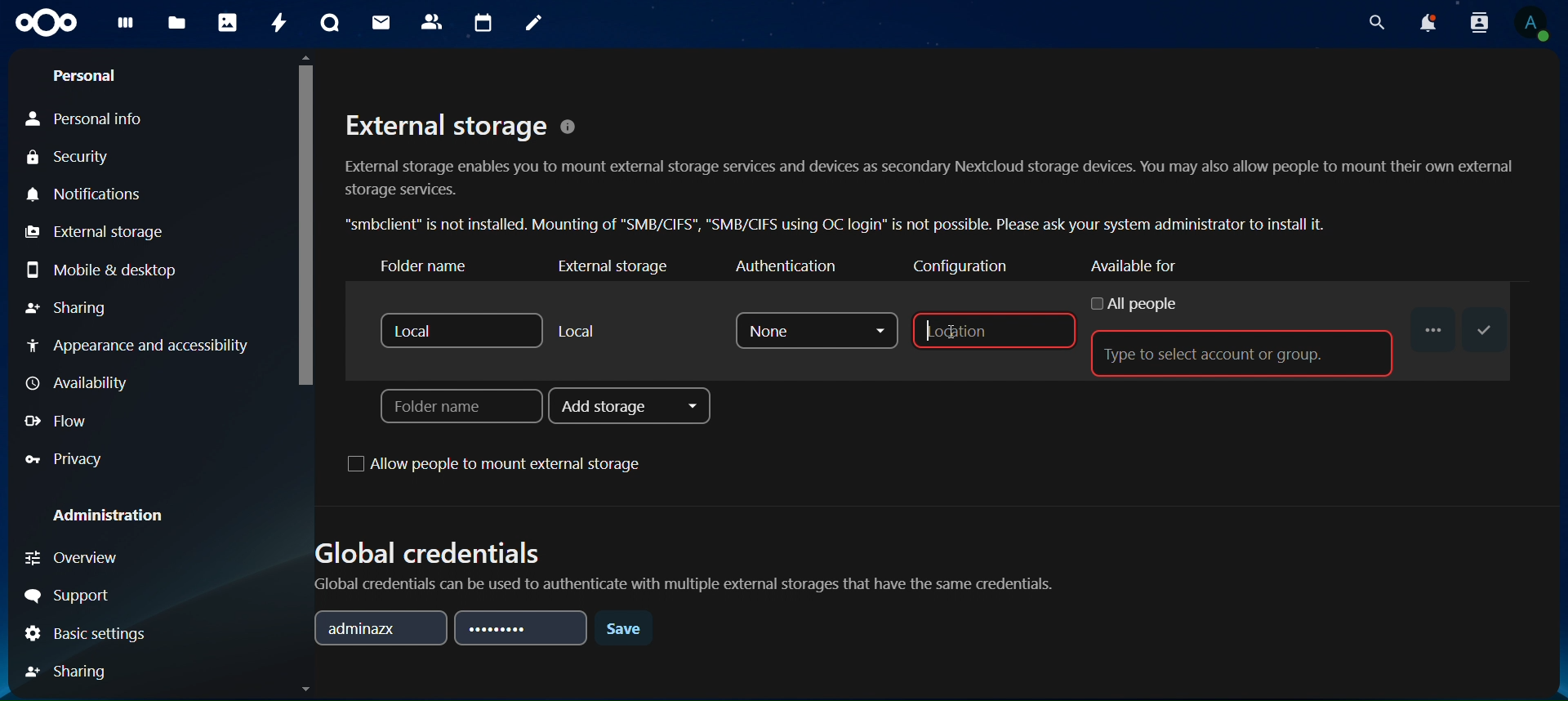 The height and width of the screenshot is (701, 1568). Describe the element at coordinates (484, 21) in the screenshot. I see `calendar` at that location.